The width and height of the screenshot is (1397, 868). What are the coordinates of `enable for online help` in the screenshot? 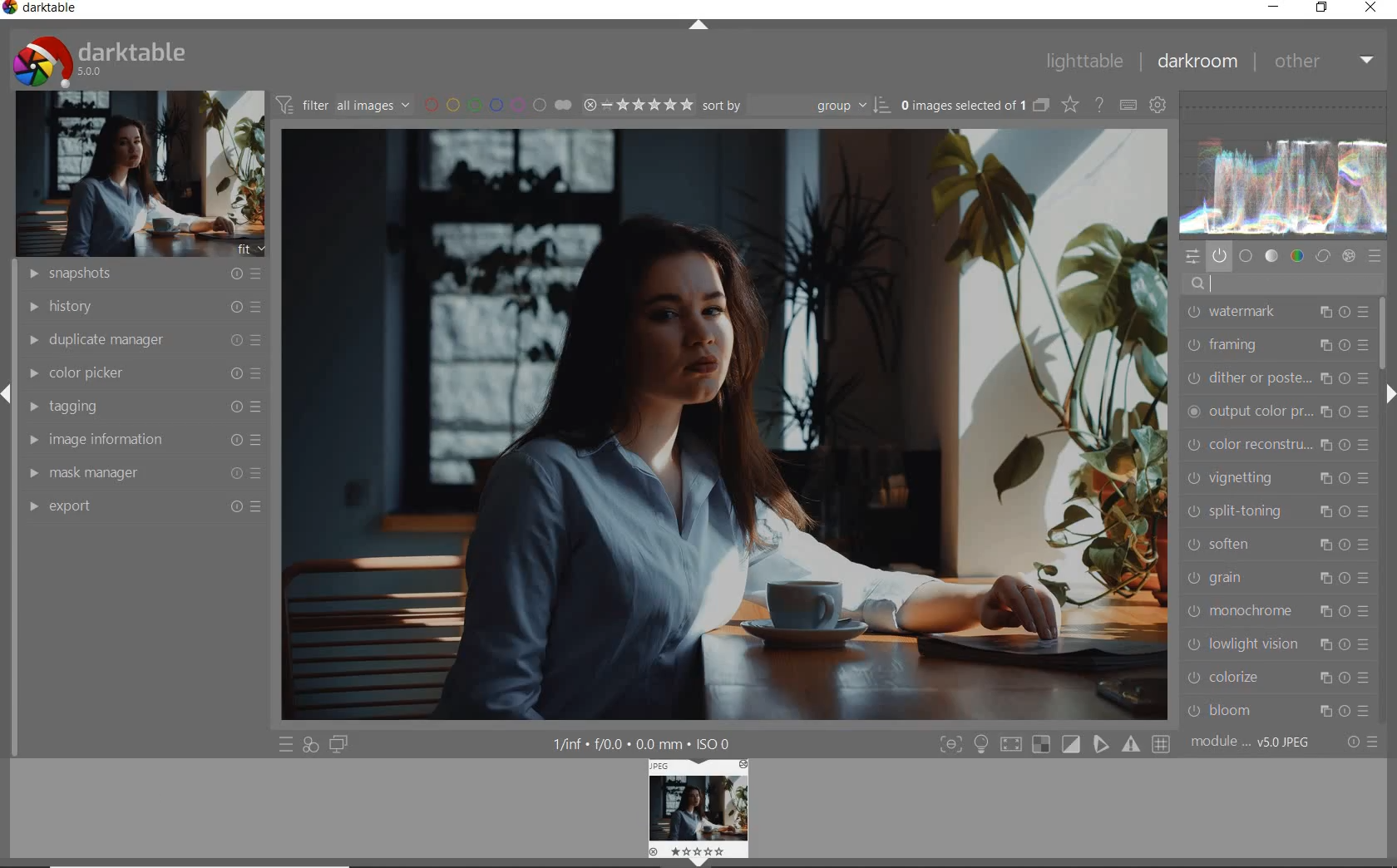 It's located at (1099, 106).